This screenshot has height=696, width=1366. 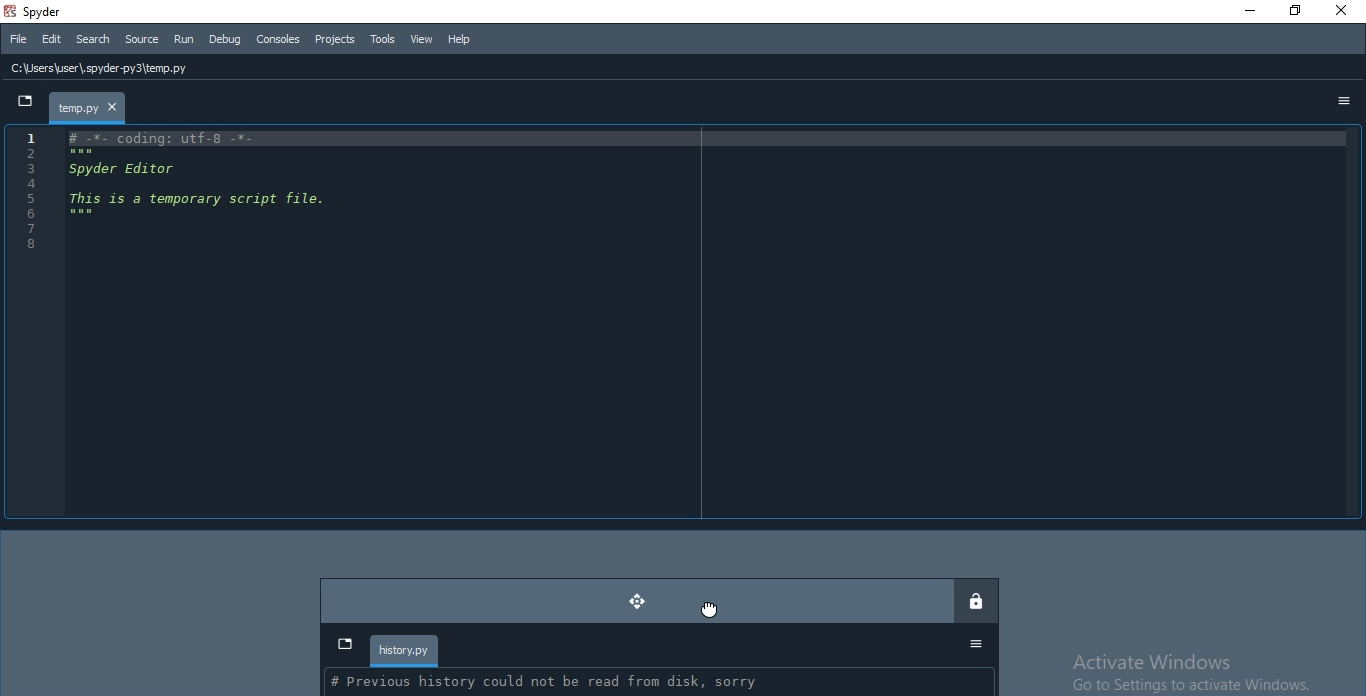 What do you see at coordinates (347, 644) in the screenshot?
I see `dropdown` at bounding box center [347, 644].